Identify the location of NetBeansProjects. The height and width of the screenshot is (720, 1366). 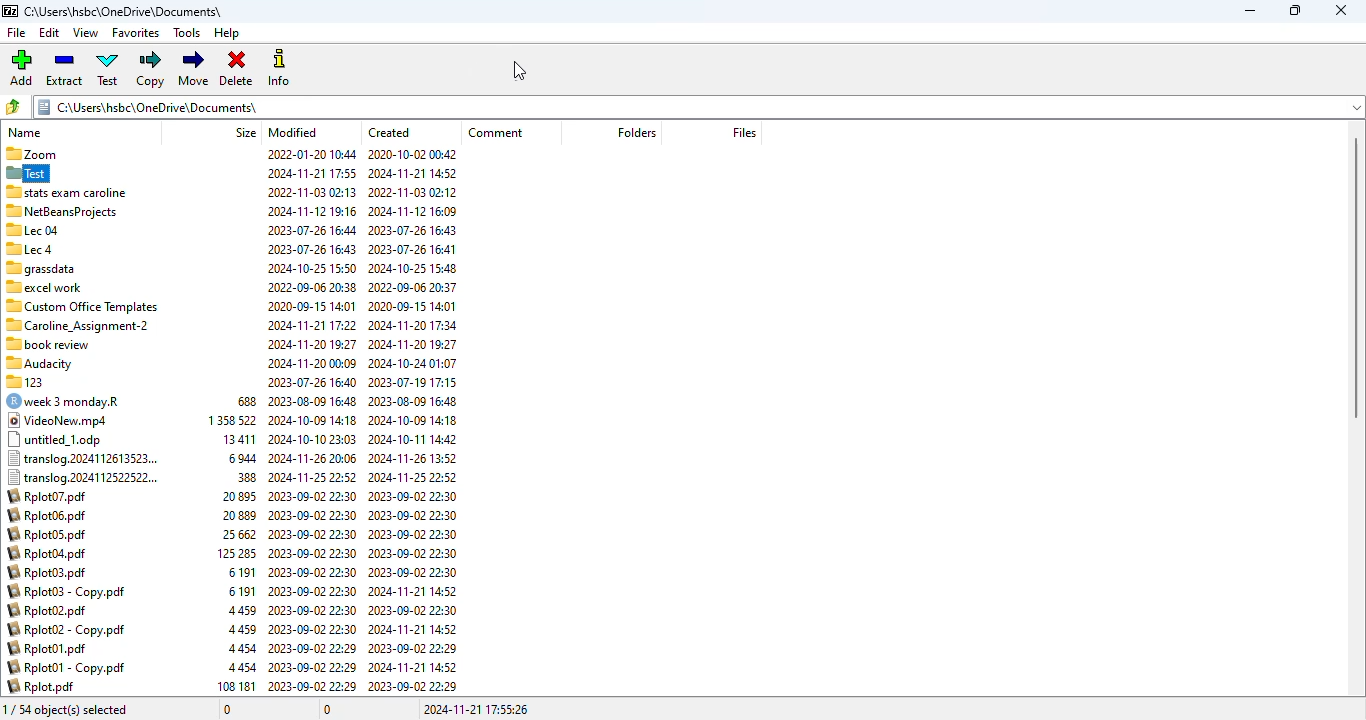
(62, 211).